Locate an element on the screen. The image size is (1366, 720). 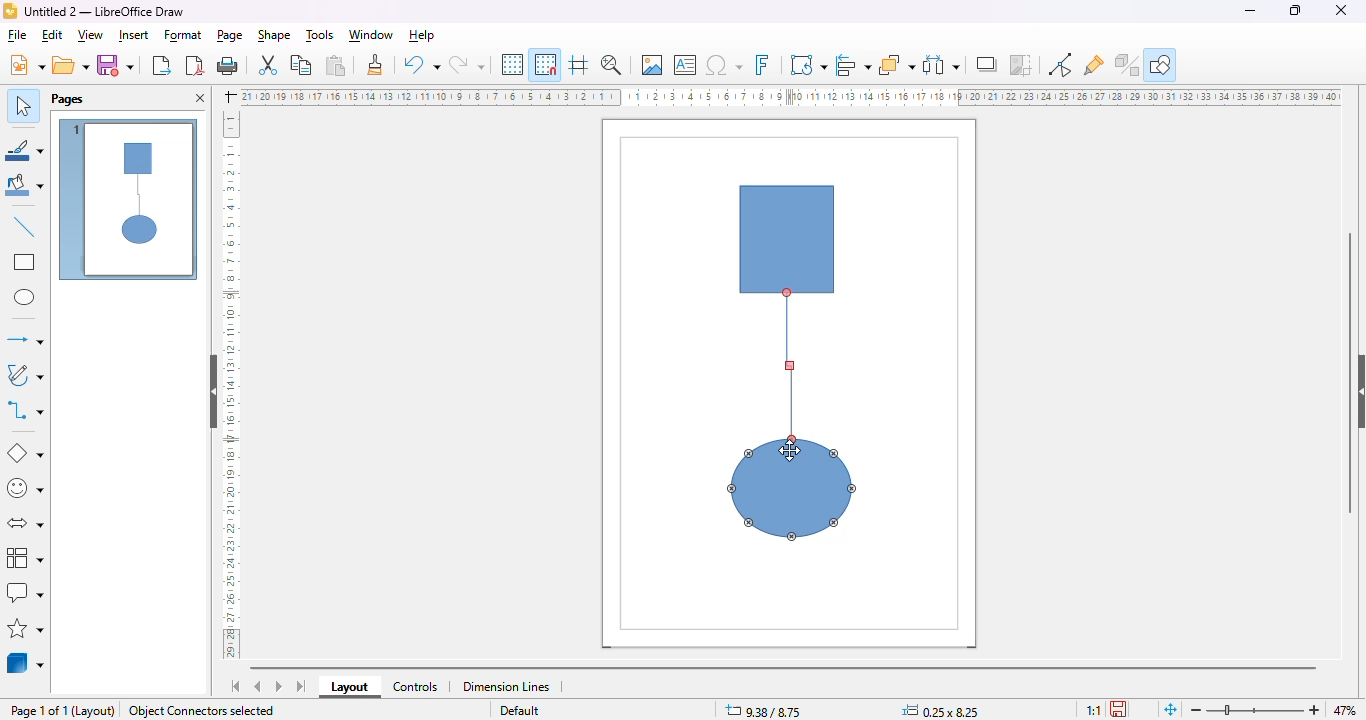
pages is located at coordinates (67, 98).